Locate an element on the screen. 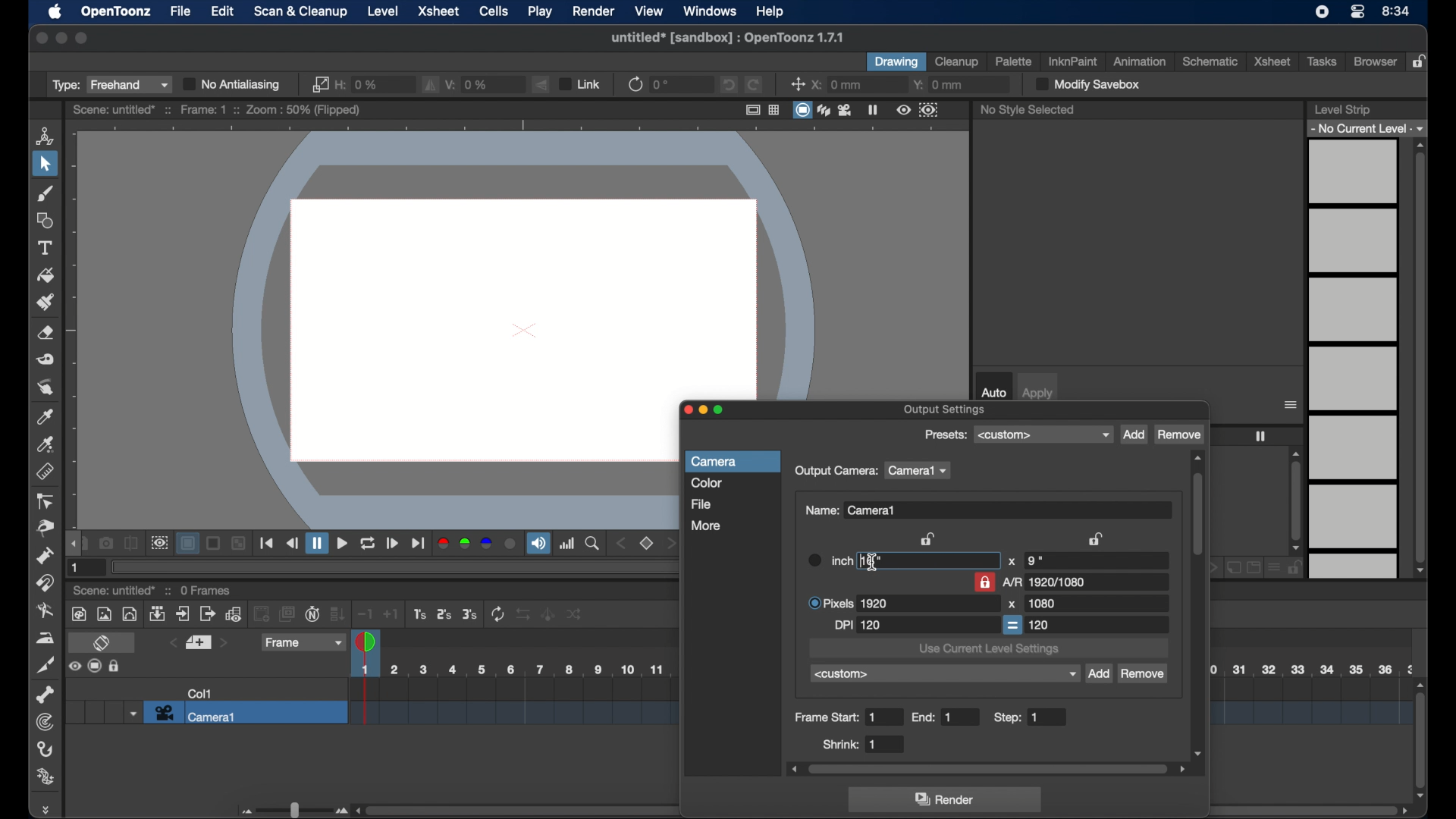 Image resolution: width=1456 pixels, height=819 pixels. tasks is located at coordinates (1324, 61).